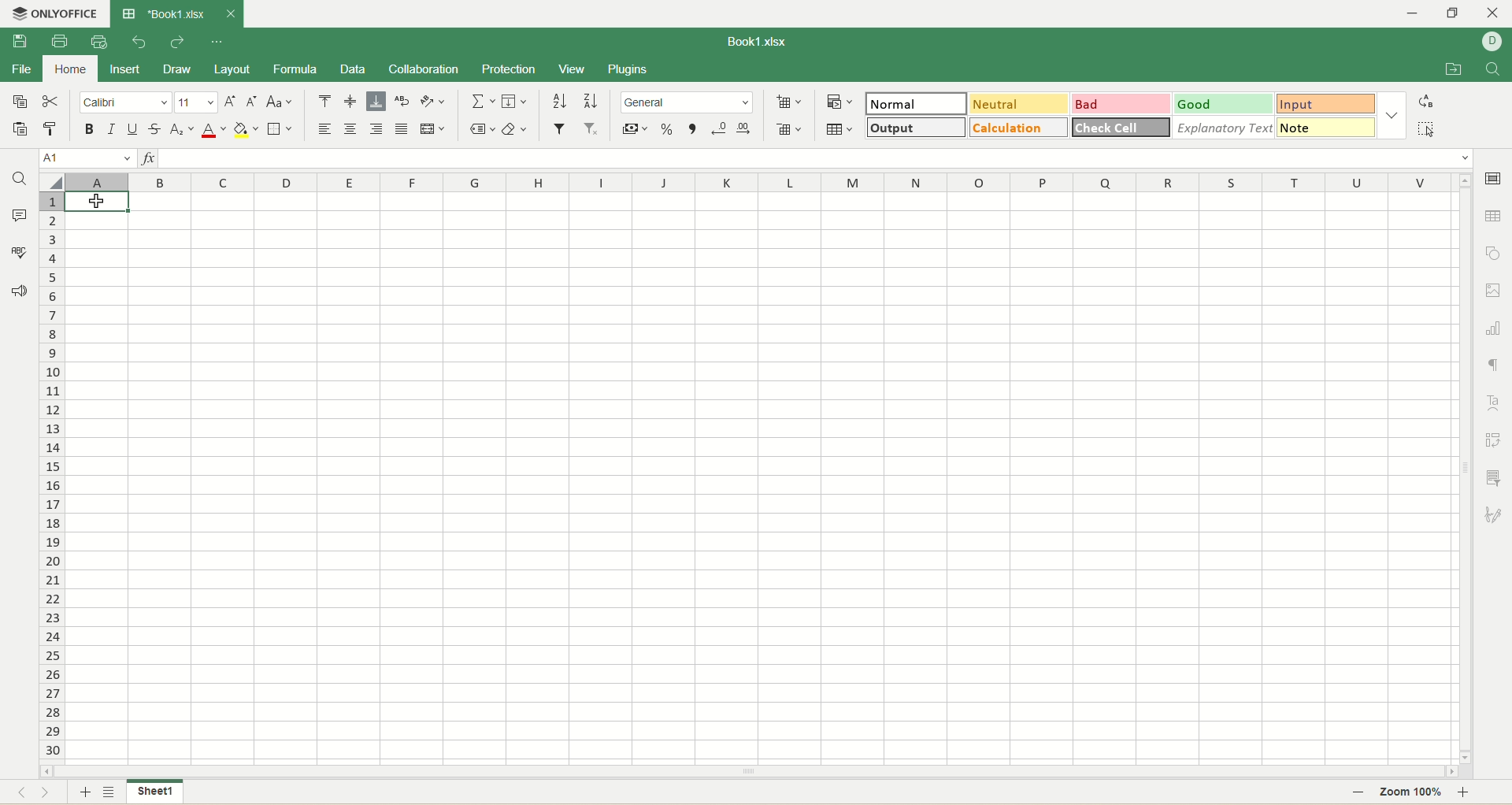 The image size is (1512, 805). I want to click on increase decimal, so click(743, 128).